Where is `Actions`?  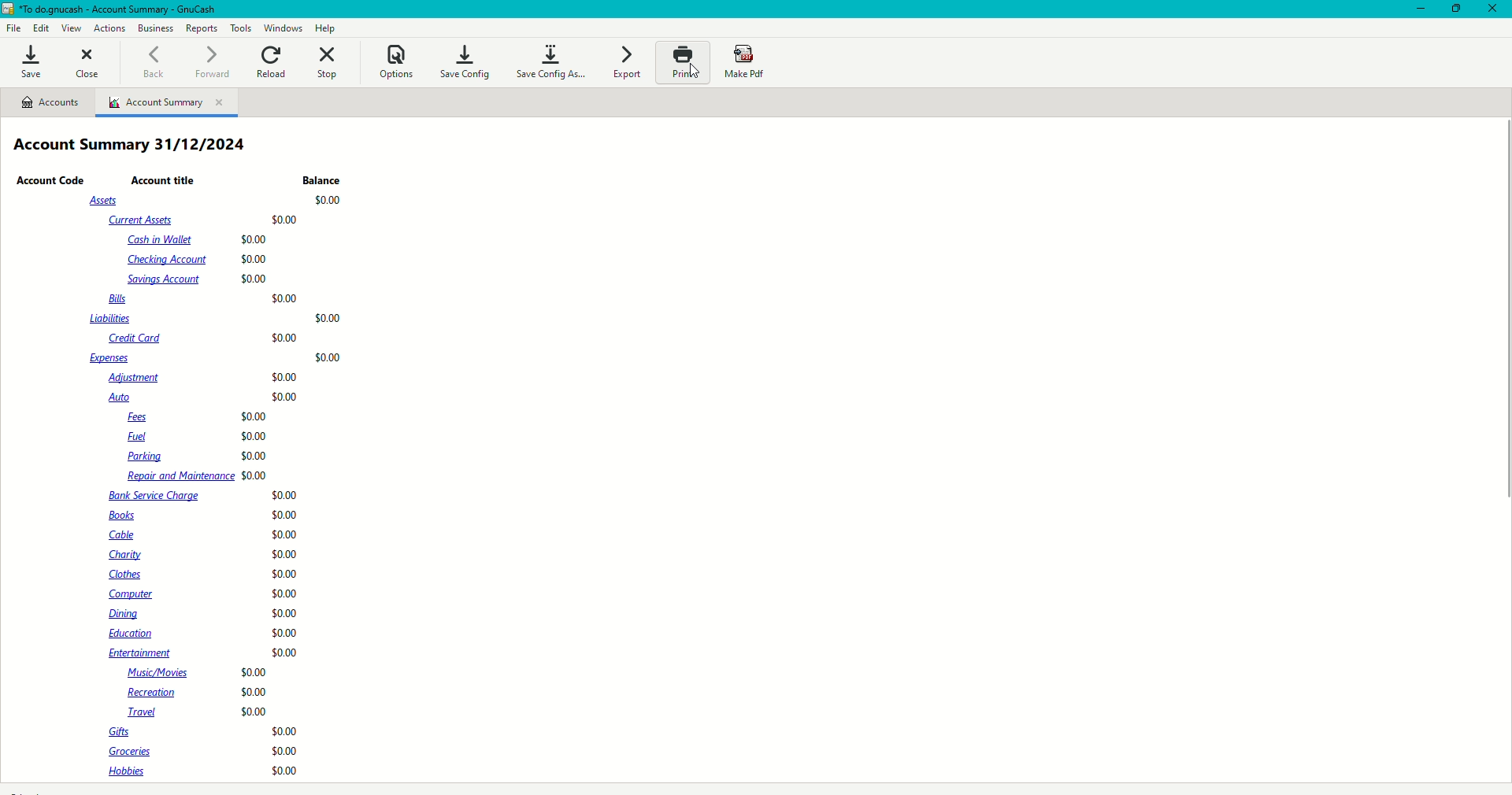 Actions is located at coordinates (111, 28).